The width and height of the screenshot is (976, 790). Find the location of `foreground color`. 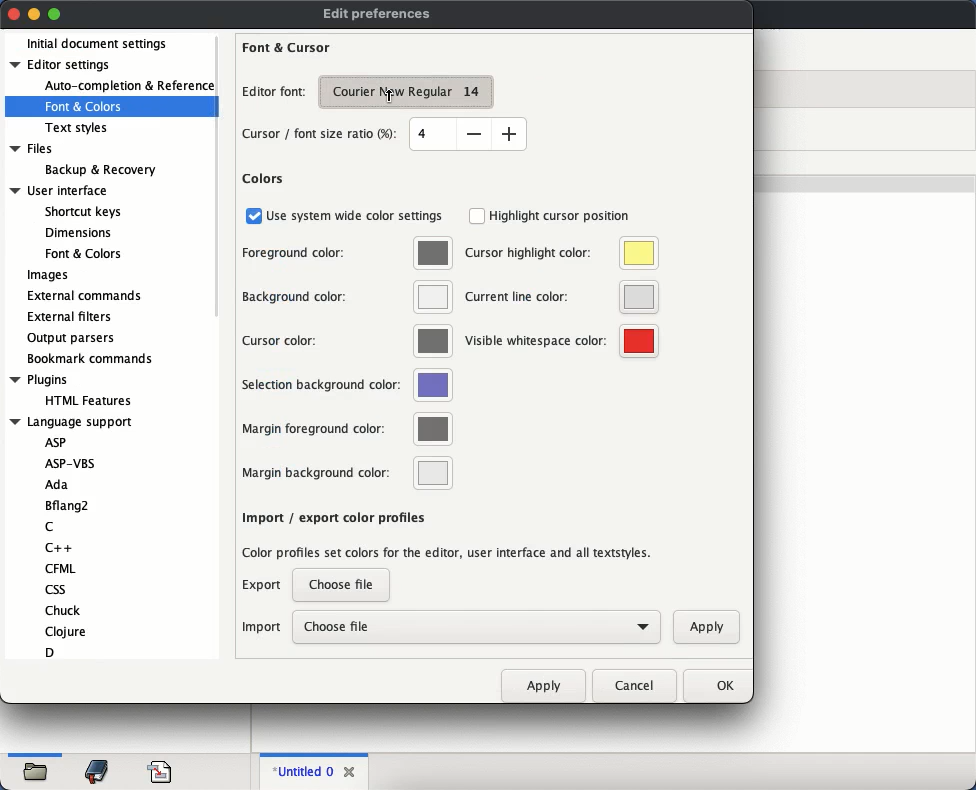

foreground color is located at coordinates (348, 252).